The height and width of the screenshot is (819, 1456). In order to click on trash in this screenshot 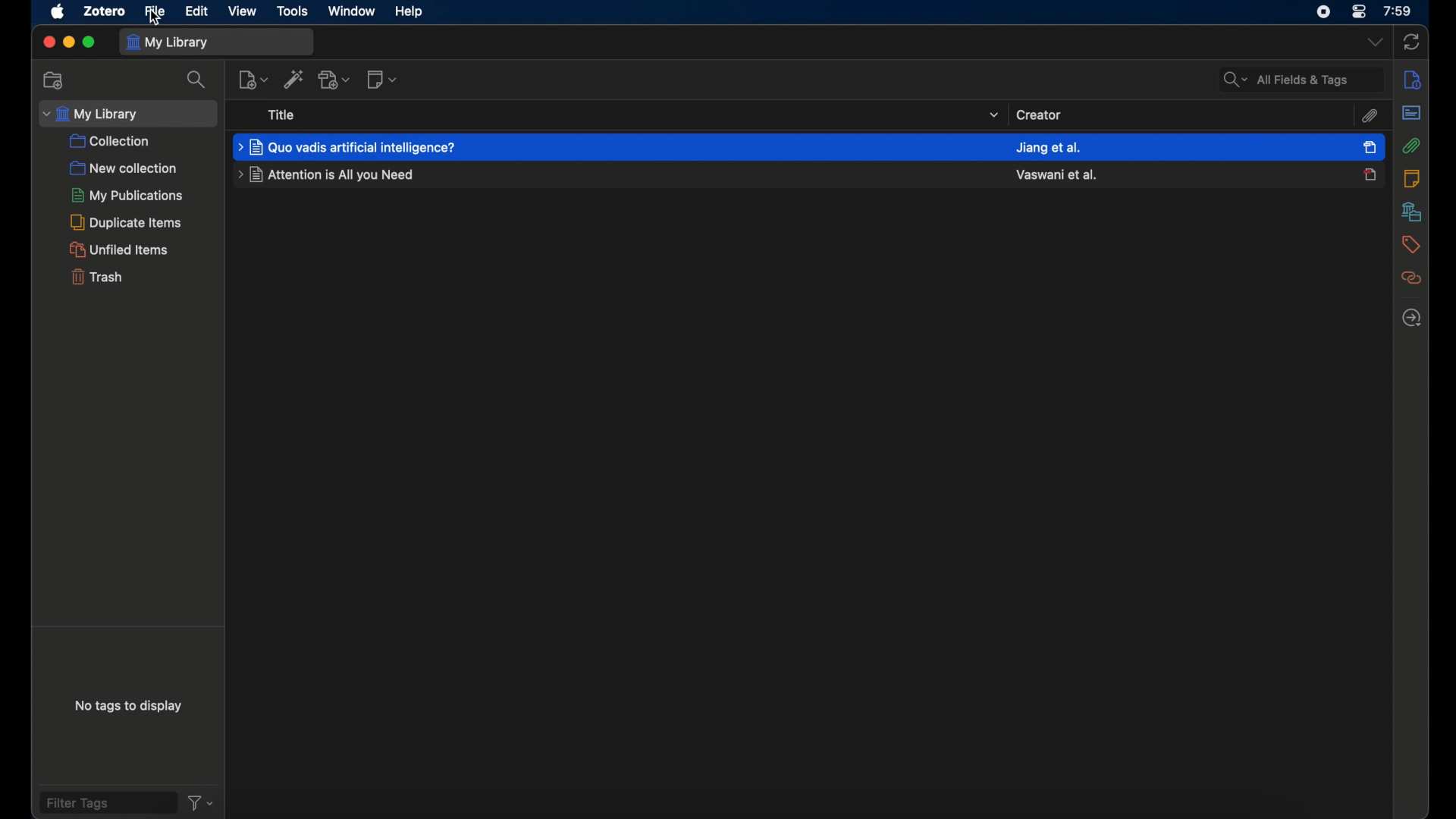, I will do `click(96, 276)`.